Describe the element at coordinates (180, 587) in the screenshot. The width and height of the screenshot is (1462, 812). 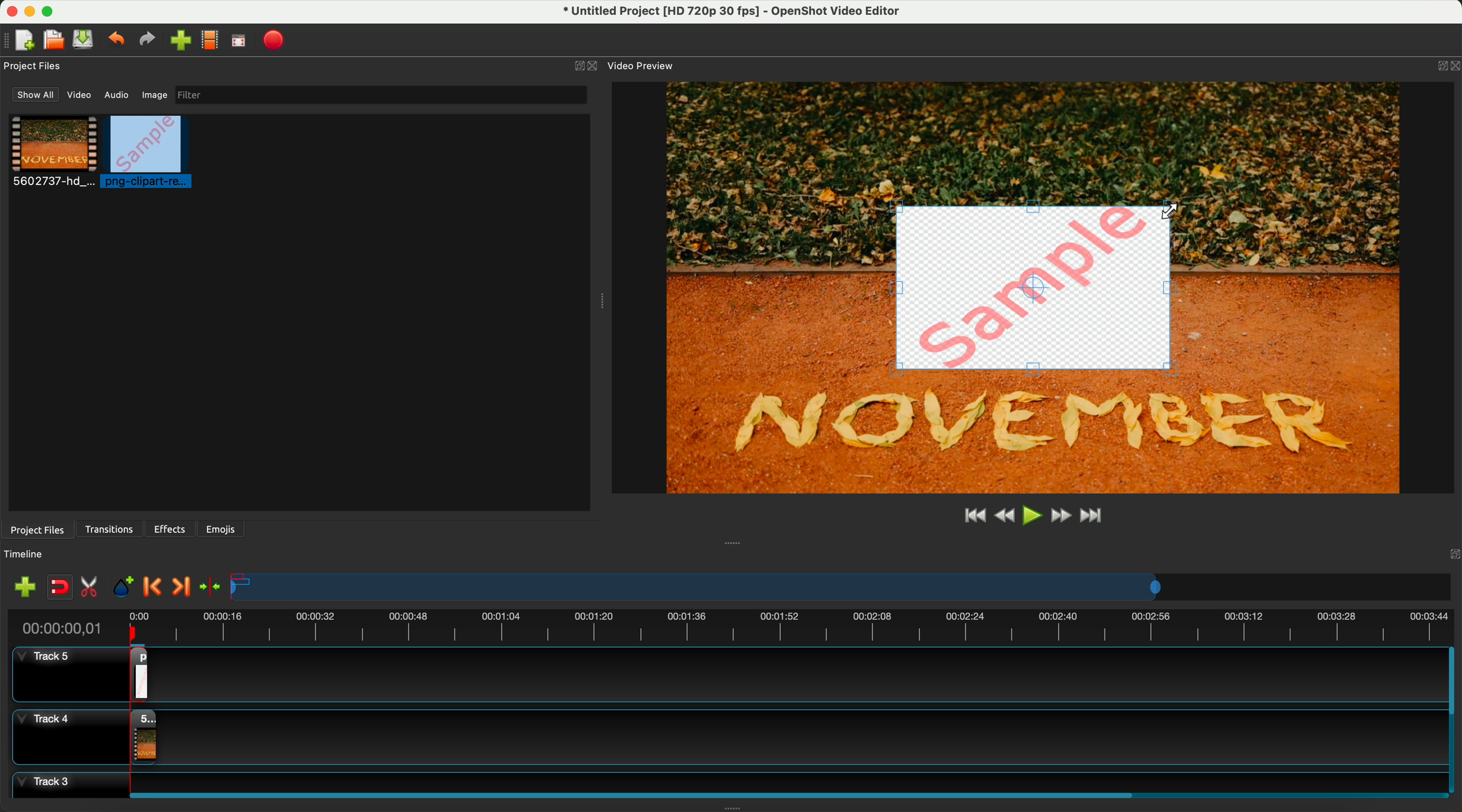
I see `next marker` at that location.